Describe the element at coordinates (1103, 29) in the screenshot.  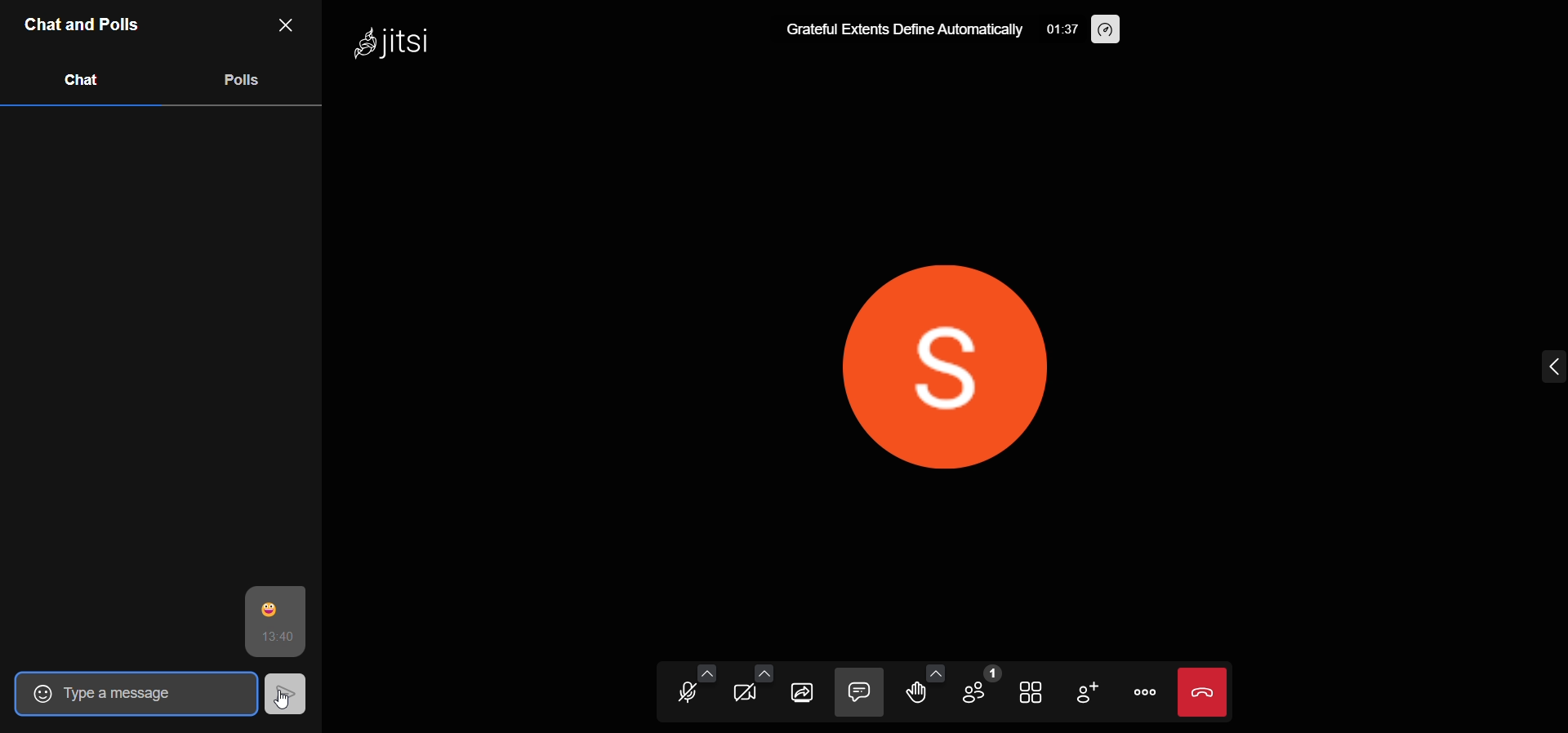
I see `performance setting` at that location.